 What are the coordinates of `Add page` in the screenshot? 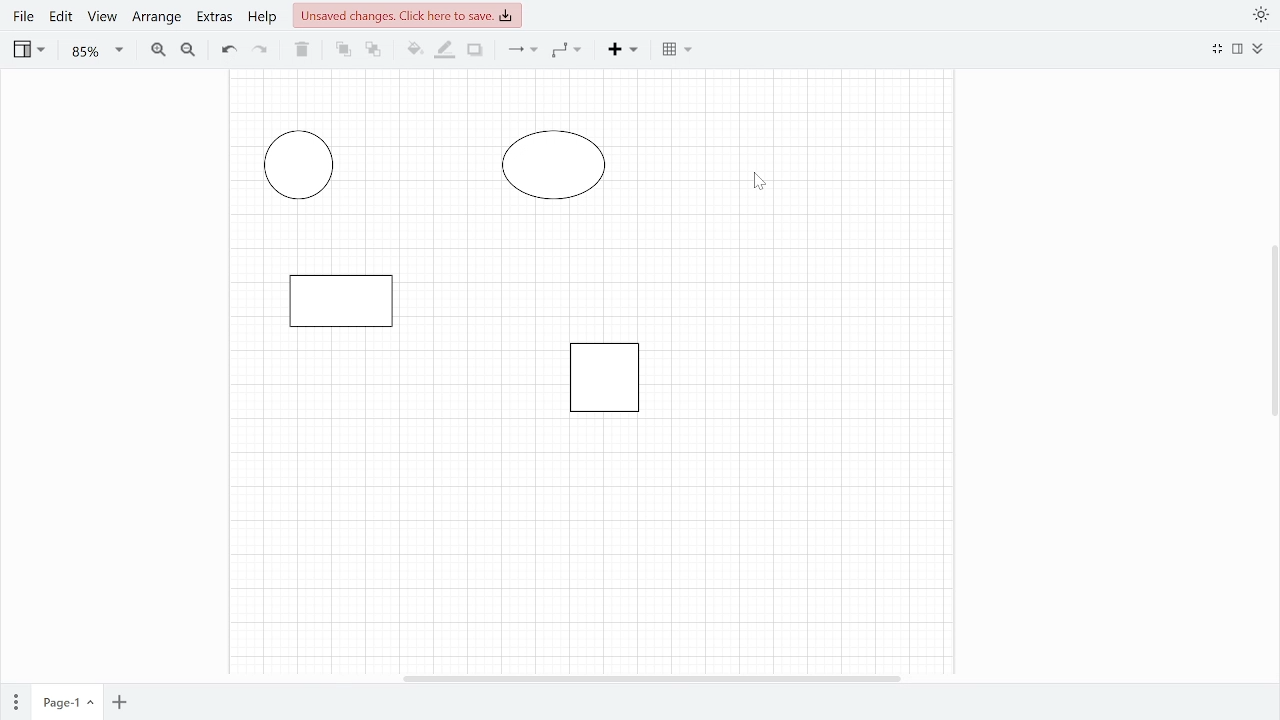 It's located at (119, 700).